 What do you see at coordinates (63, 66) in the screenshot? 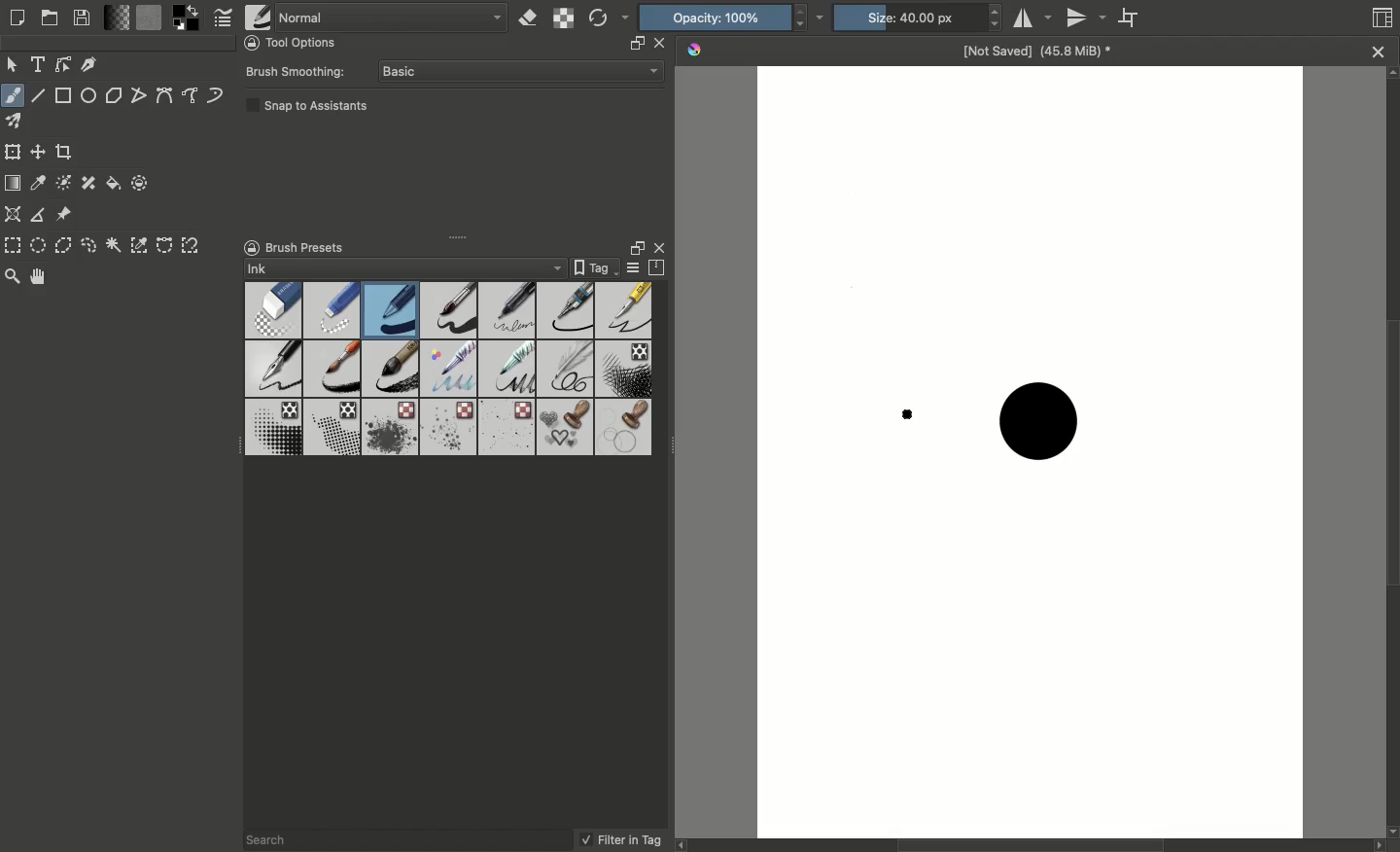
I see `Edit` at bounding box center [63, 66].